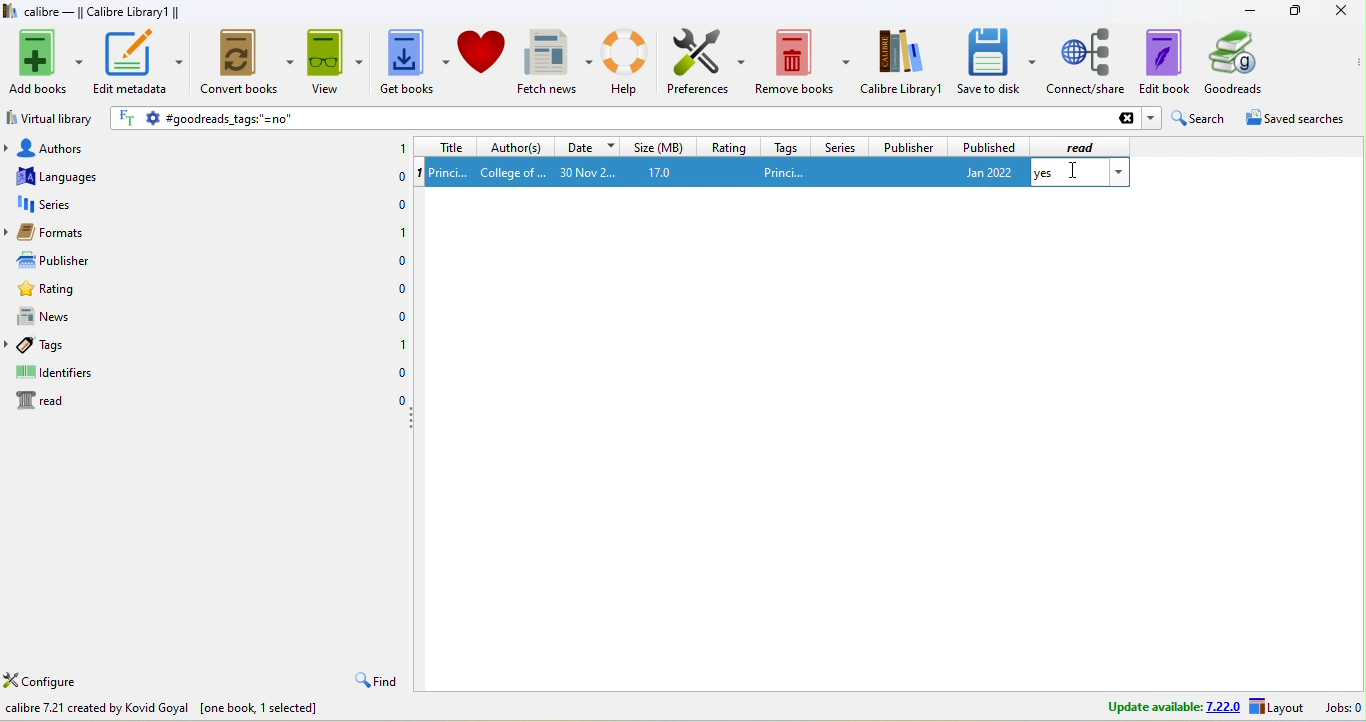  Describe the element at coordinates (1244, 62) in the screenshot. I see `goodreads` at that location.